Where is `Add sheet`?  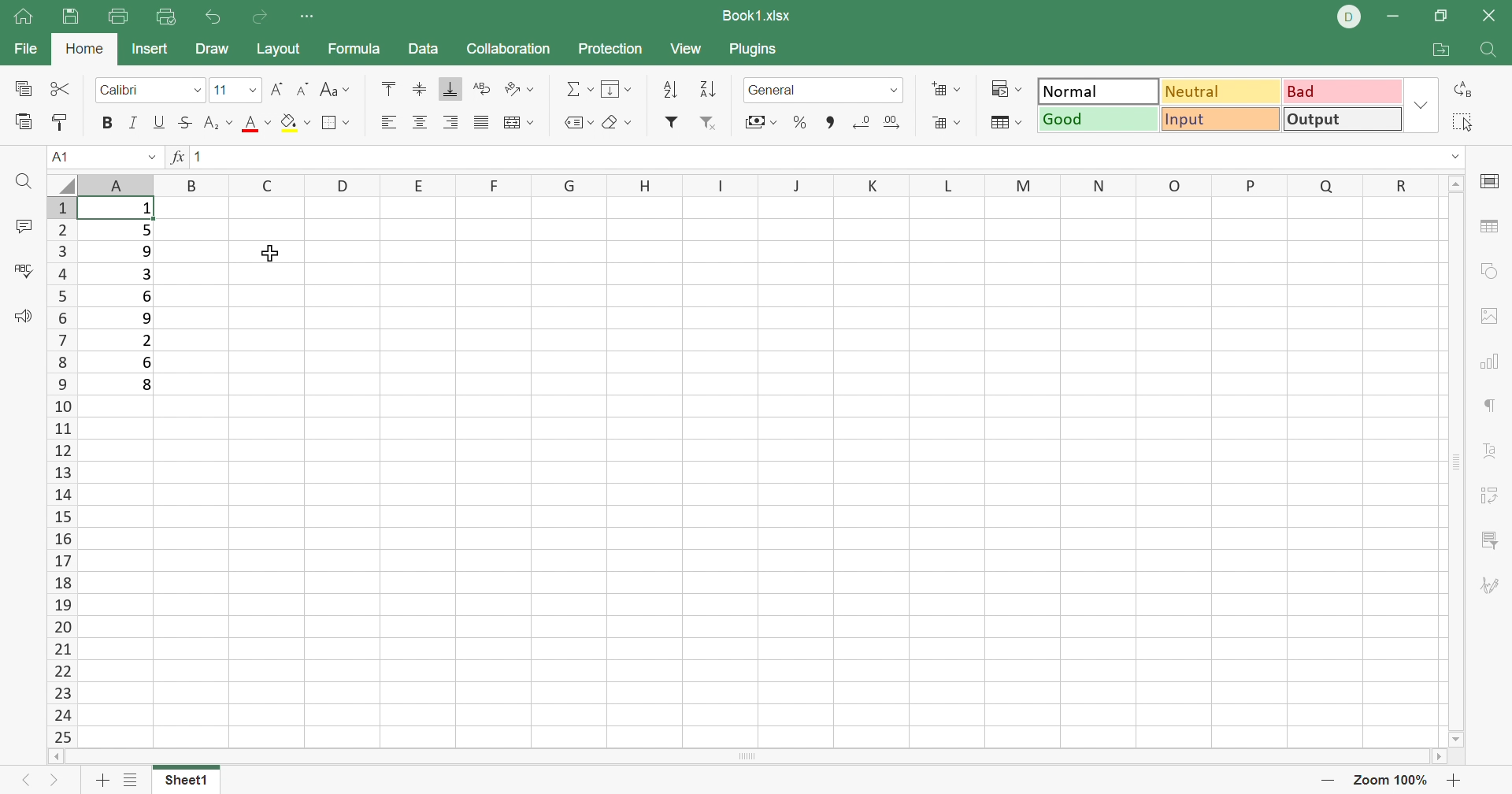 Add sheet is located at coordinates (102, 781).